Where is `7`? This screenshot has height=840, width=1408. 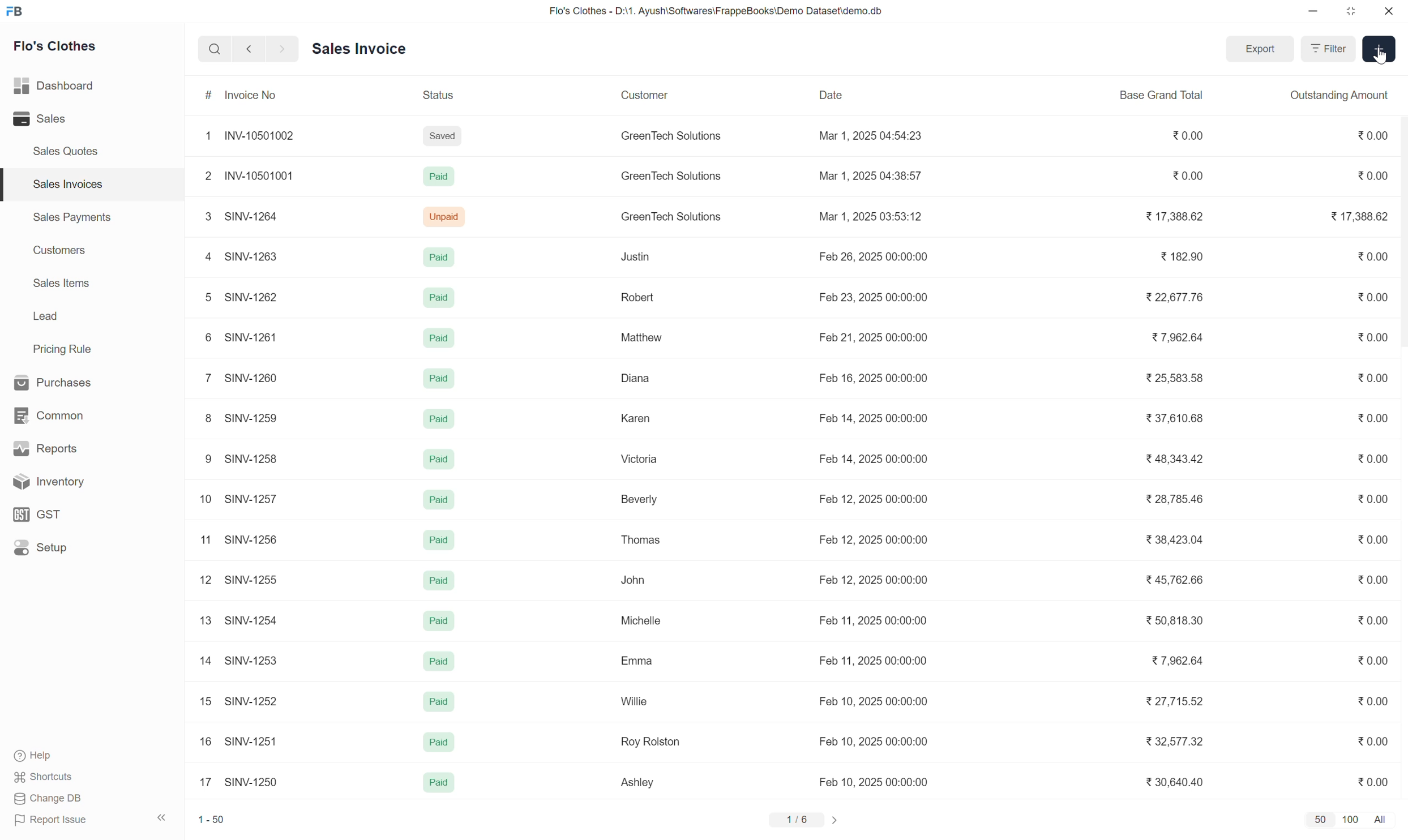
7 is located at coordinates (206, 380).